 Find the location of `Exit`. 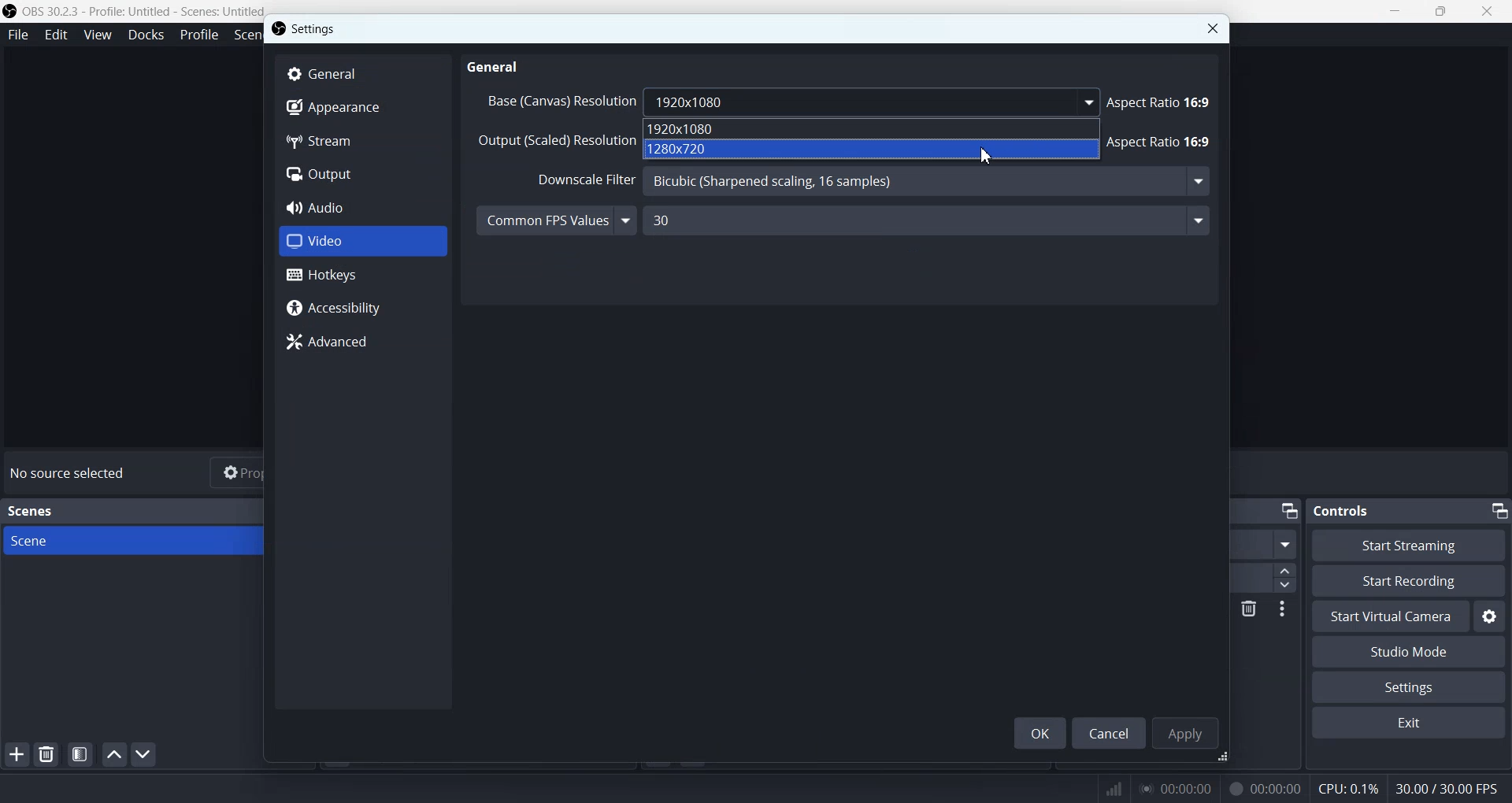

Exit is located at coordinates (1409, 723).